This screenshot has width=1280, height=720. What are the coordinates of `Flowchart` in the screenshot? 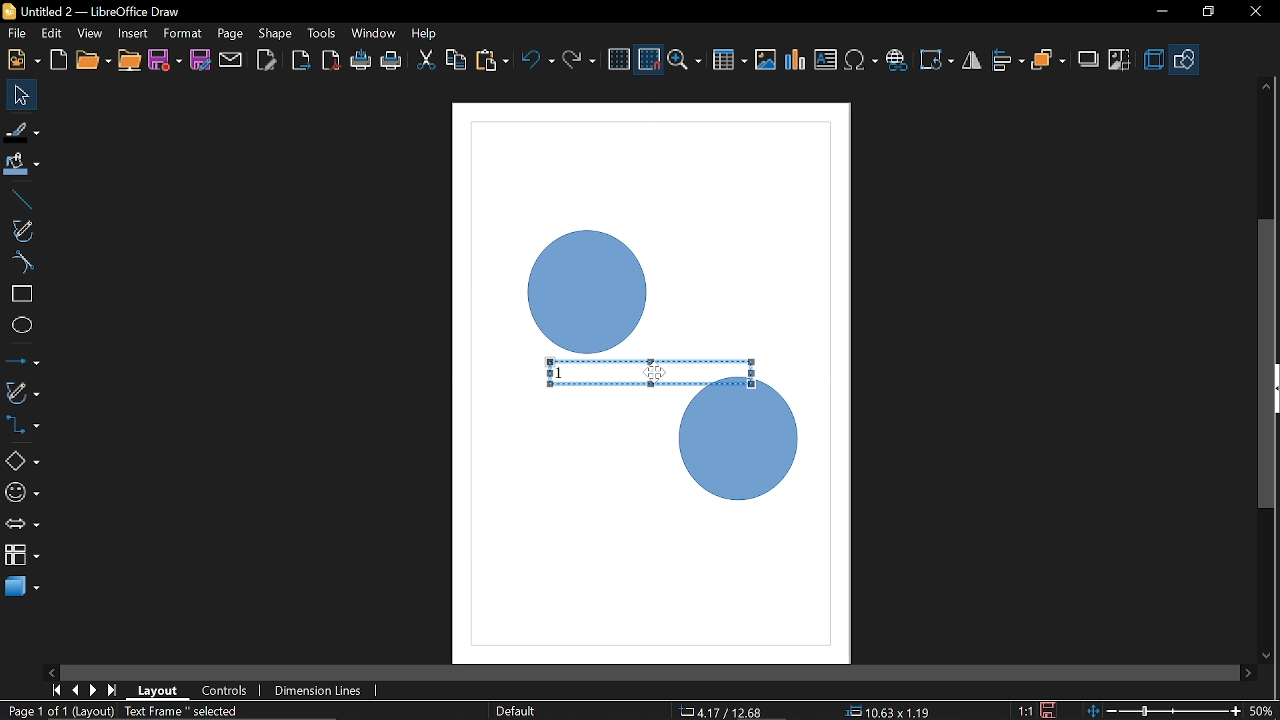 It's located at (22, 552).